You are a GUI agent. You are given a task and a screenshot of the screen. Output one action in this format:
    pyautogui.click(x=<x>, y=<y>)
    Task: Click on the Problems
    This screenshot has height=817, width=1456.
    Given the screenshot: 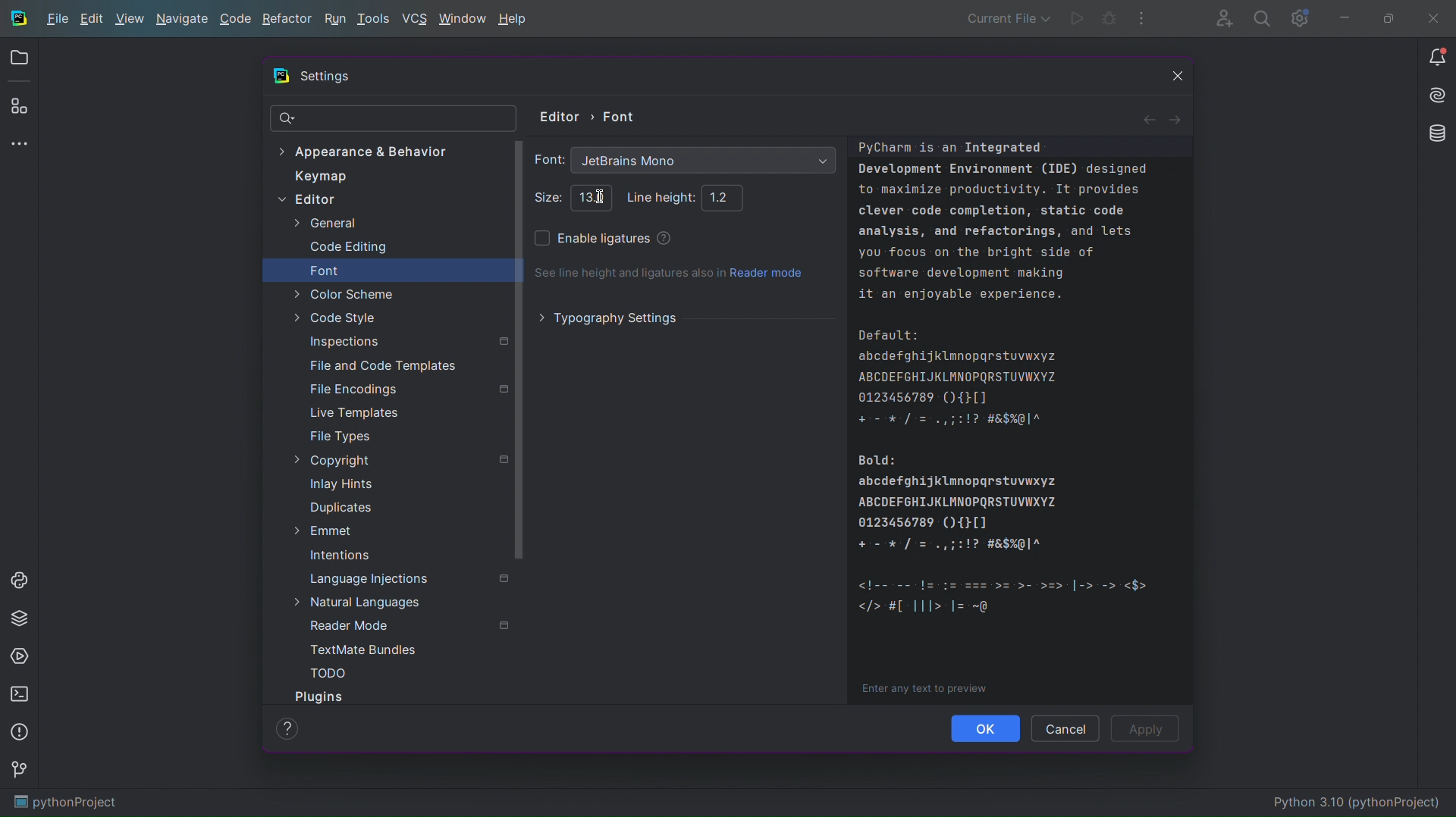 What is the action you would take?
    pyautogui.click(x=21, y=734)
    